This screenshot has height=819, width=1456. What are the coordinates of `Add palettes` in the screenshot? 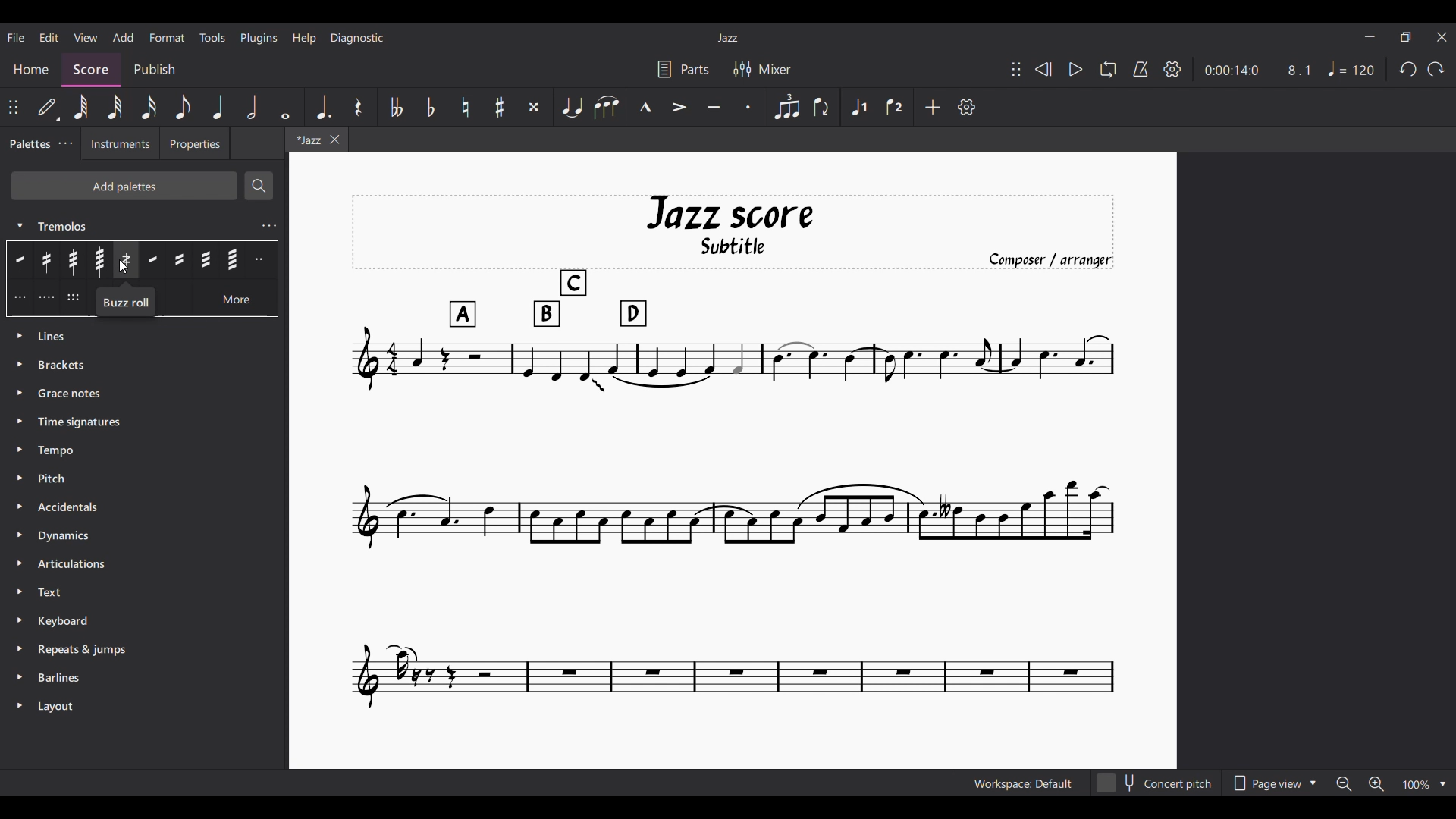 It's located at (124, 186).